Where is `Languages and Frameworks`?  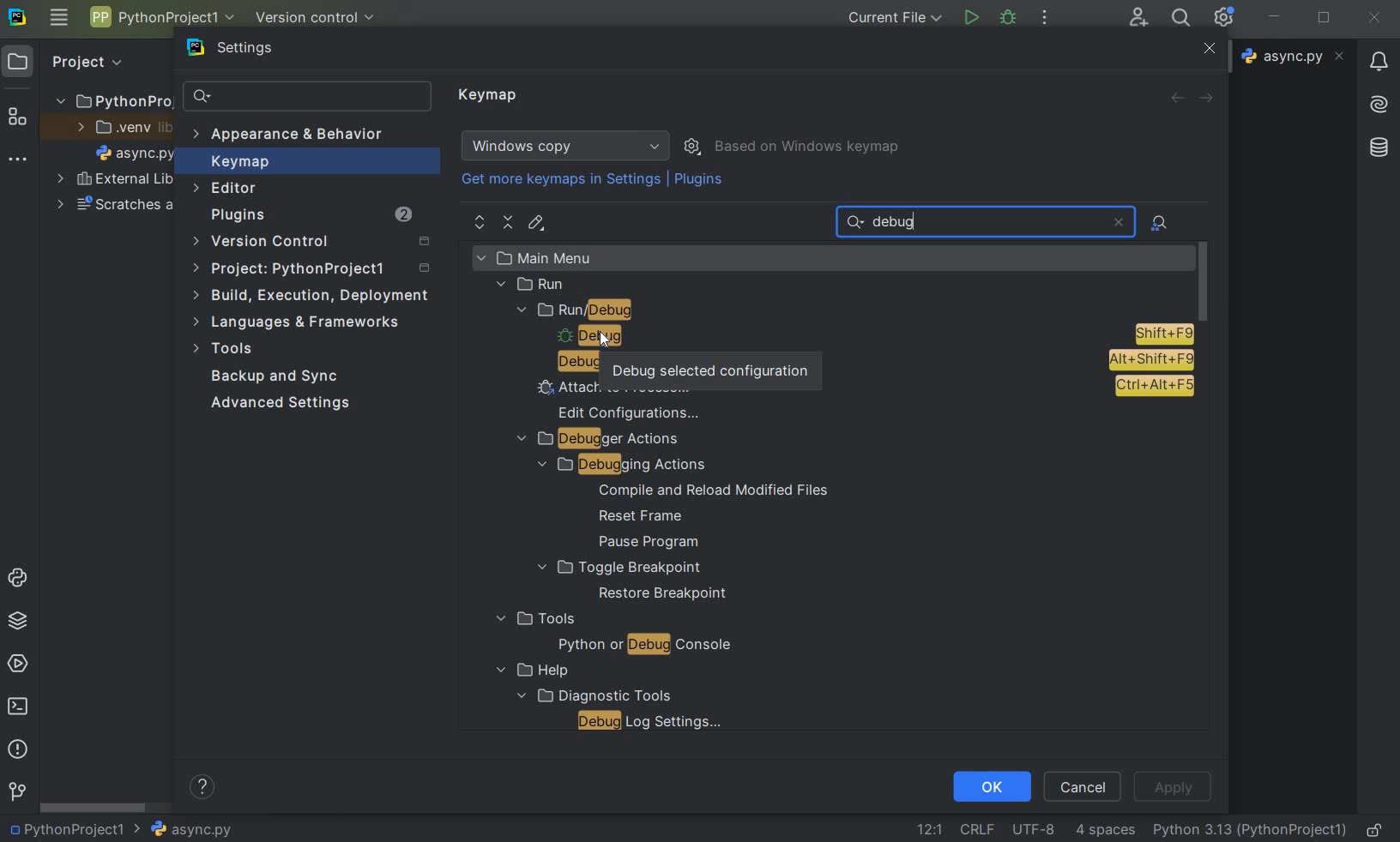 Languages and Frameworks is located at coordinates (302, 322).